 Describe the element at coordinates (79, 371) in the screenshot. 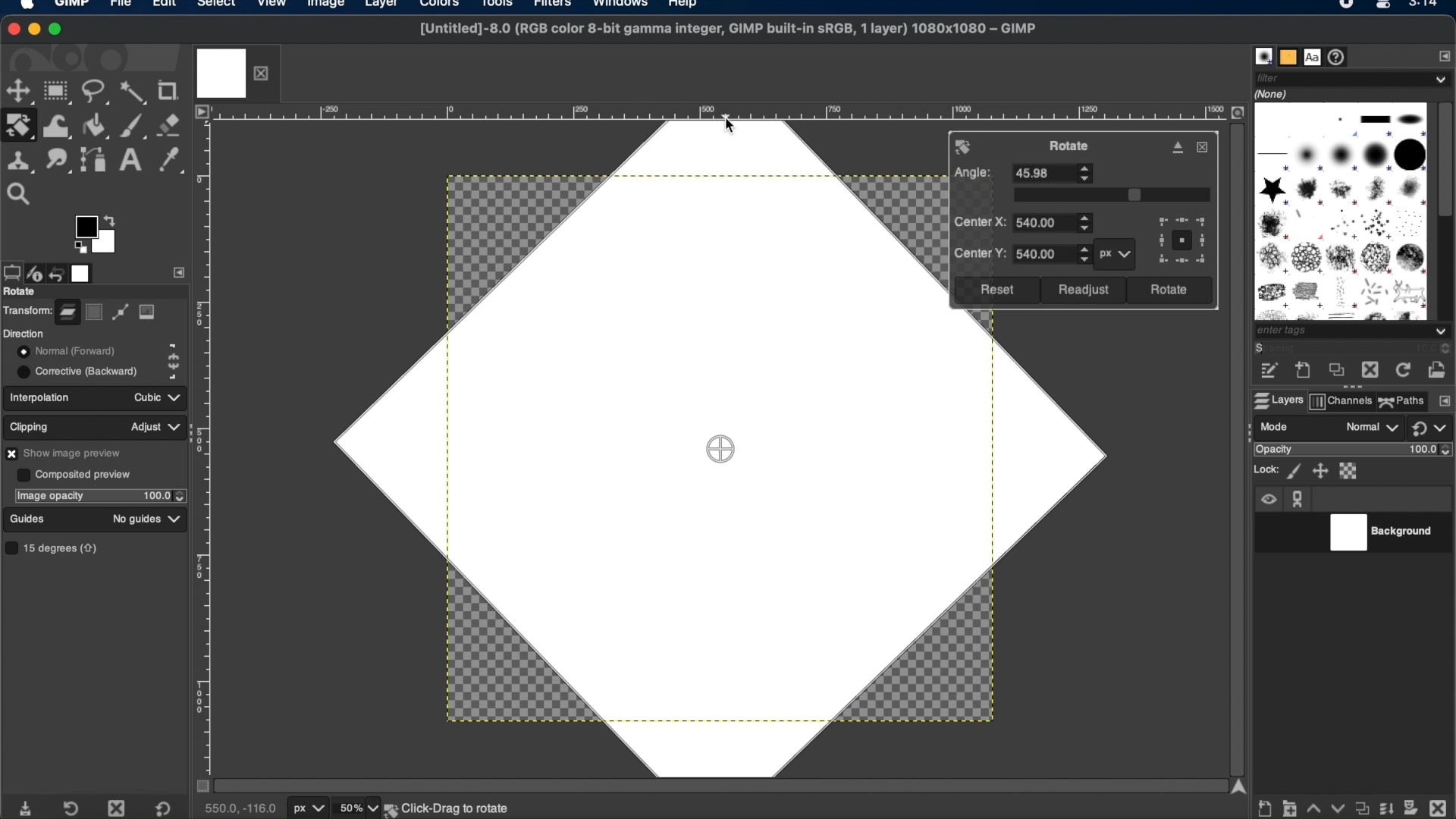

I see `corrective backward toggle` at that location.